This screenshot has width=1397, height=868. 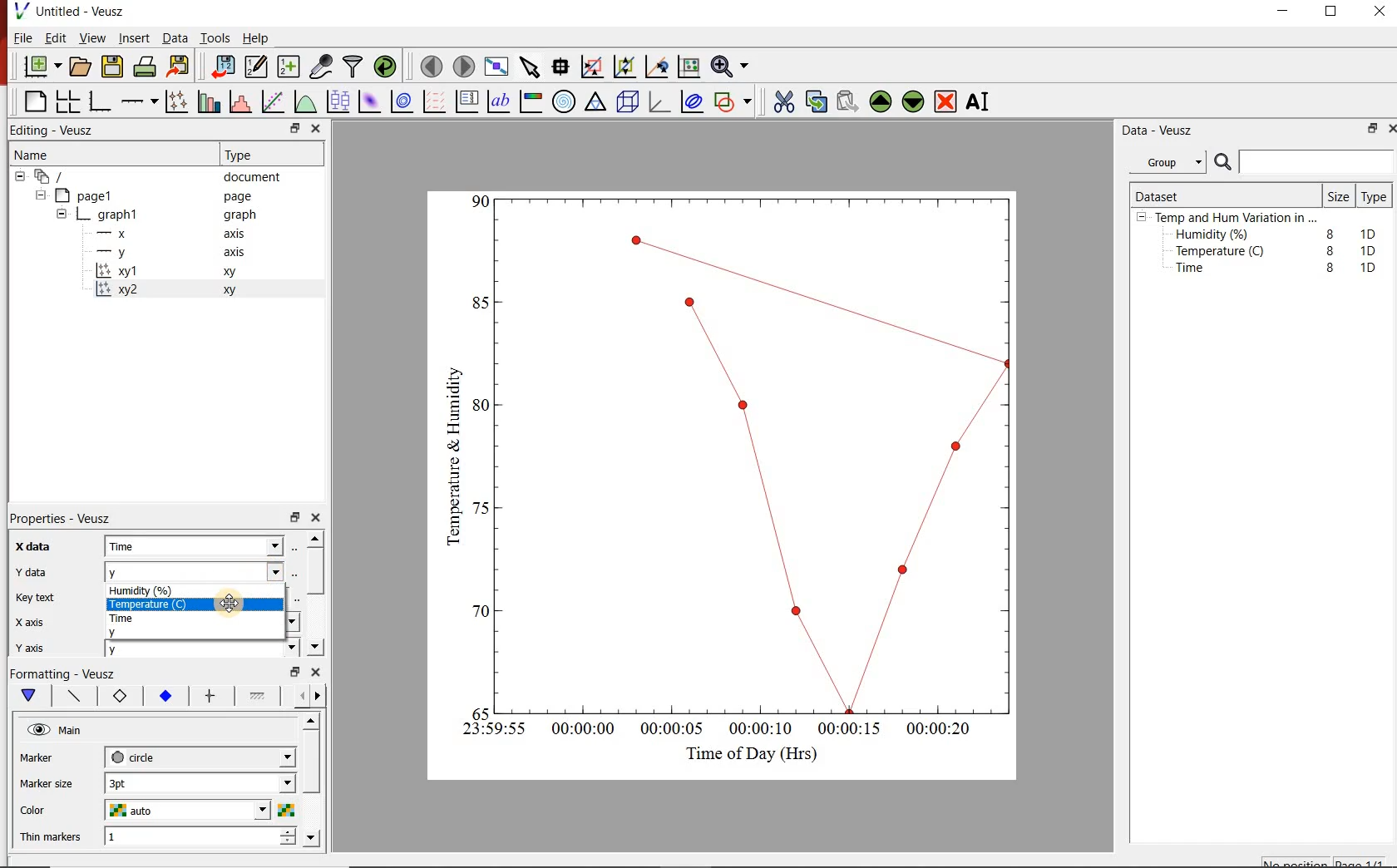 What do you see at coordinates (1327, 231) in the screenshot?
I see `8` at bounding box center [1327, 231].